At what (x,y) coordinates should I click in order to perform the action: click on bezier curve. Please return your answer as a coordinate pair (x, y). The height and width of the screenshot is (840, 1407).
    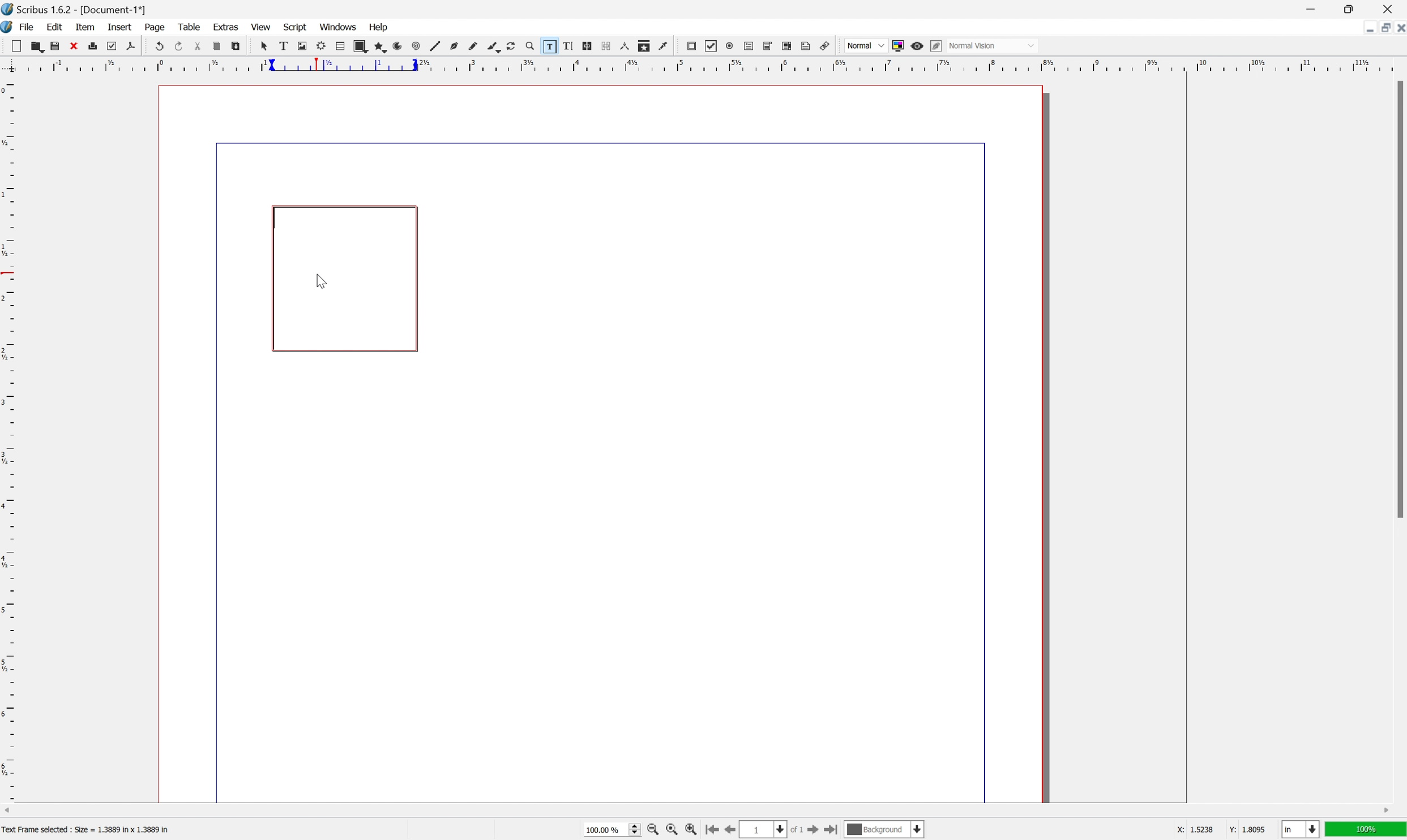
    Looking at the image, I should click on (494, 48).